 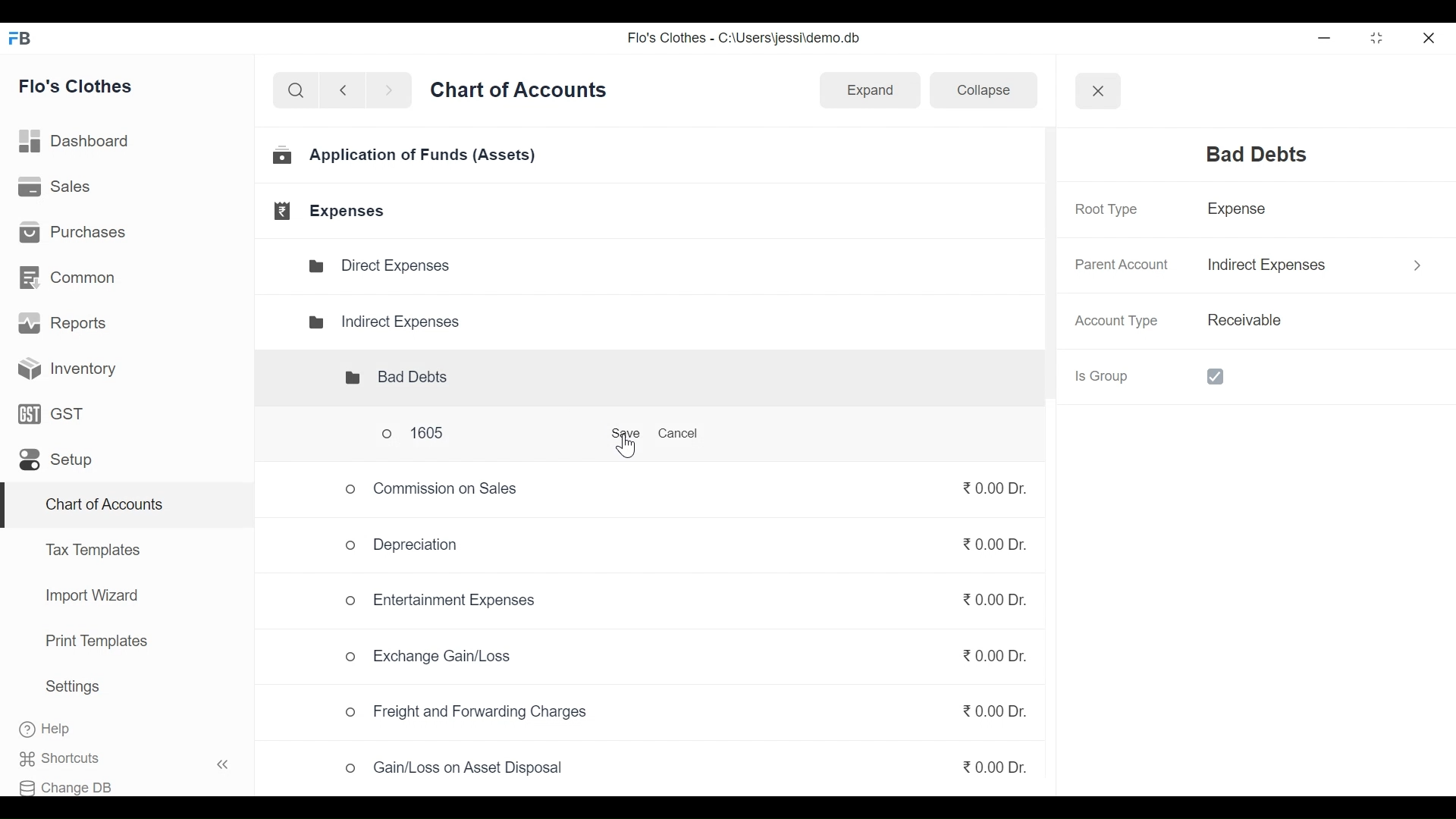 I want to click on Import Wizard, so click(x=87, y=598).